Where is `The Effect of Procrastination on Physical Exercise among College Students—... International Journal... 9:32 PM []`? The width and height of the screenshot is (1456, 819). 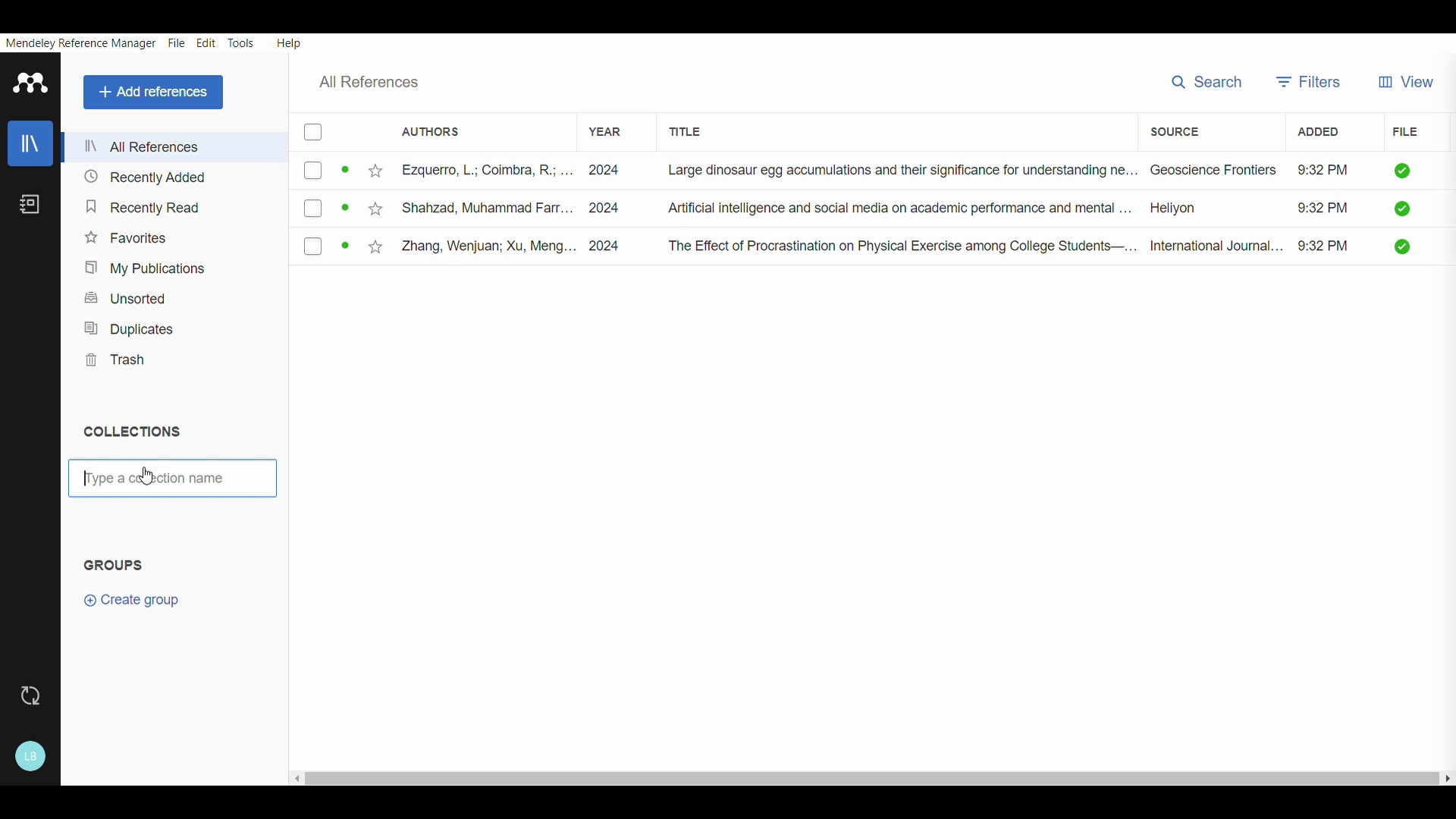 The Effect of Procrastination on Physical Exercise among College Students—... International Journal... 9:32 PM [] is located at coordinates (1040, 246).